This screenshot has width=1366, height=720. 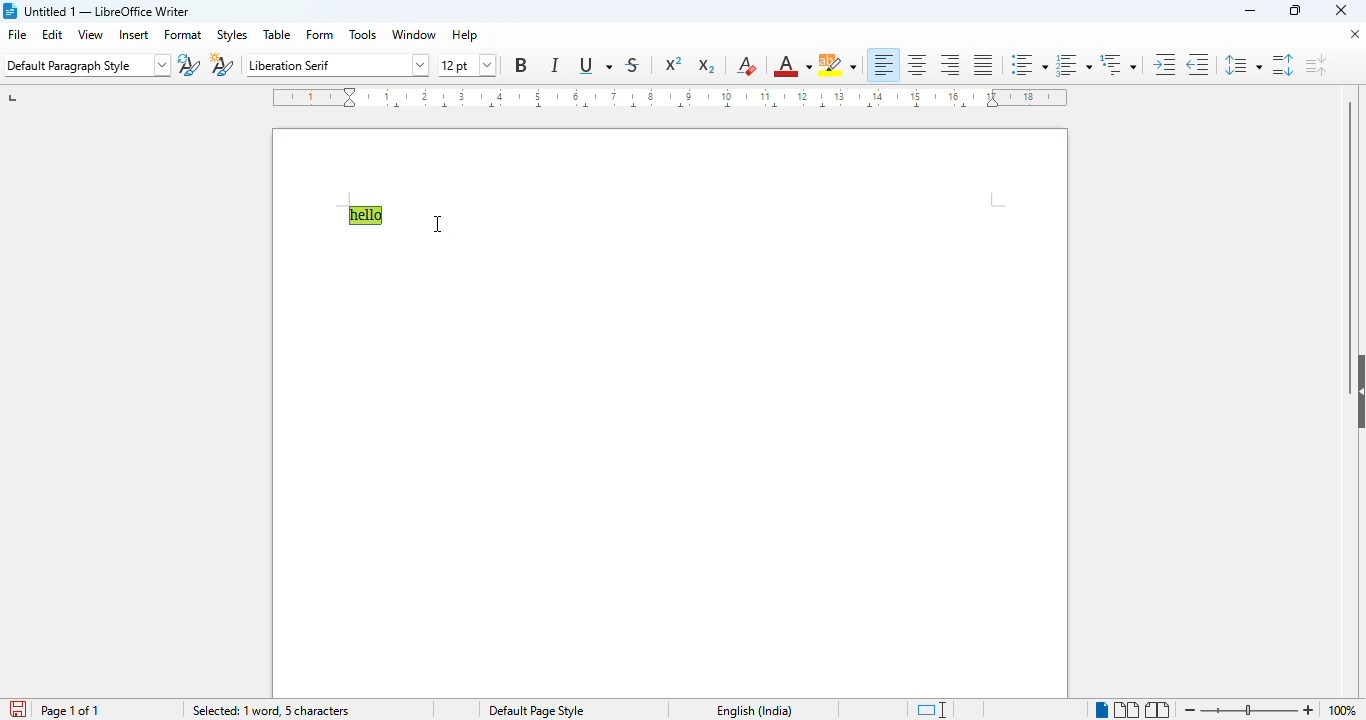 What do you see at coordinates (277, 34) in the screenshot?
I see `table` at bounding box center [277, 34].